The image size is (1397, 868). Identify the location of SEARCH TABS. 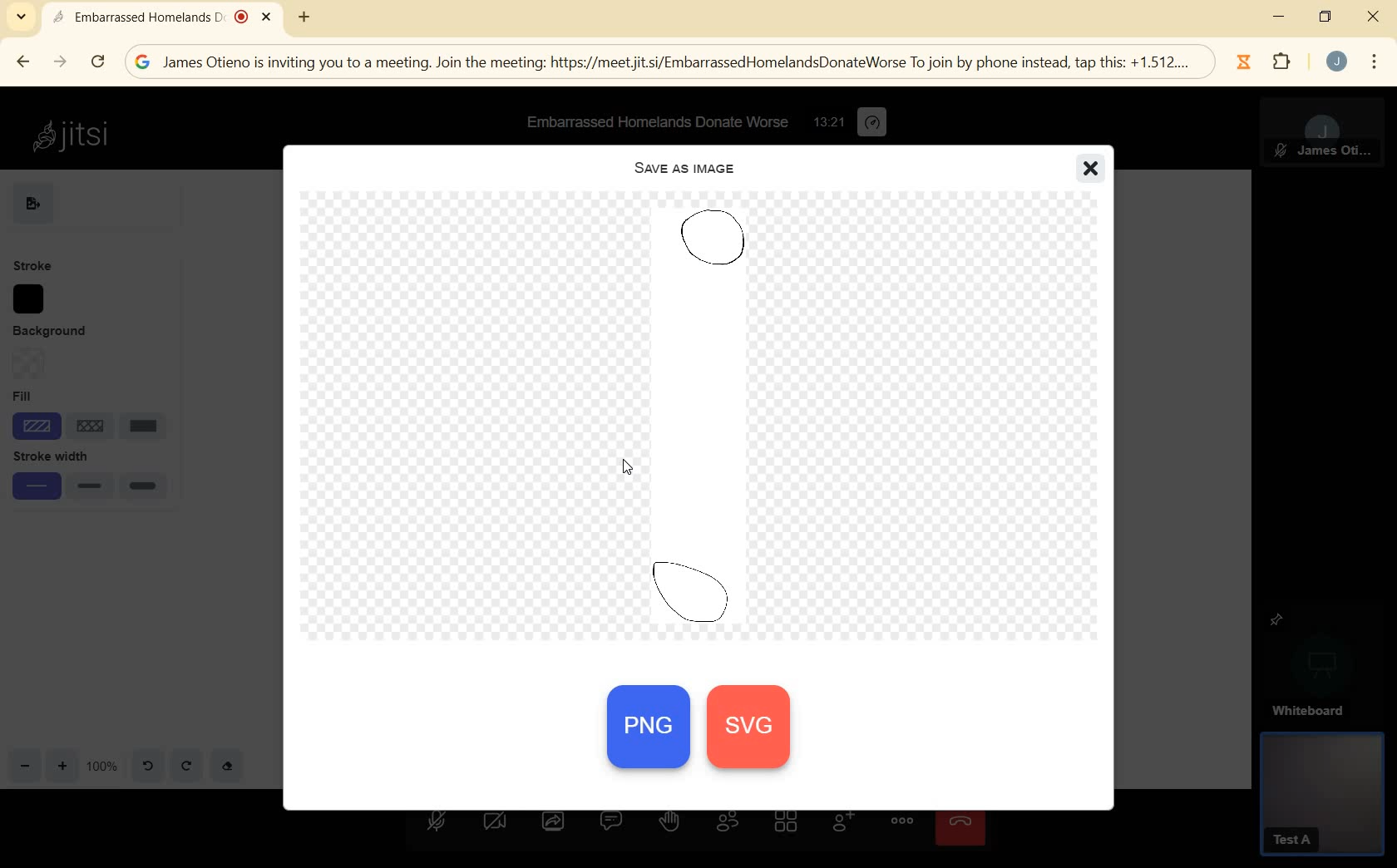
(20, 18).